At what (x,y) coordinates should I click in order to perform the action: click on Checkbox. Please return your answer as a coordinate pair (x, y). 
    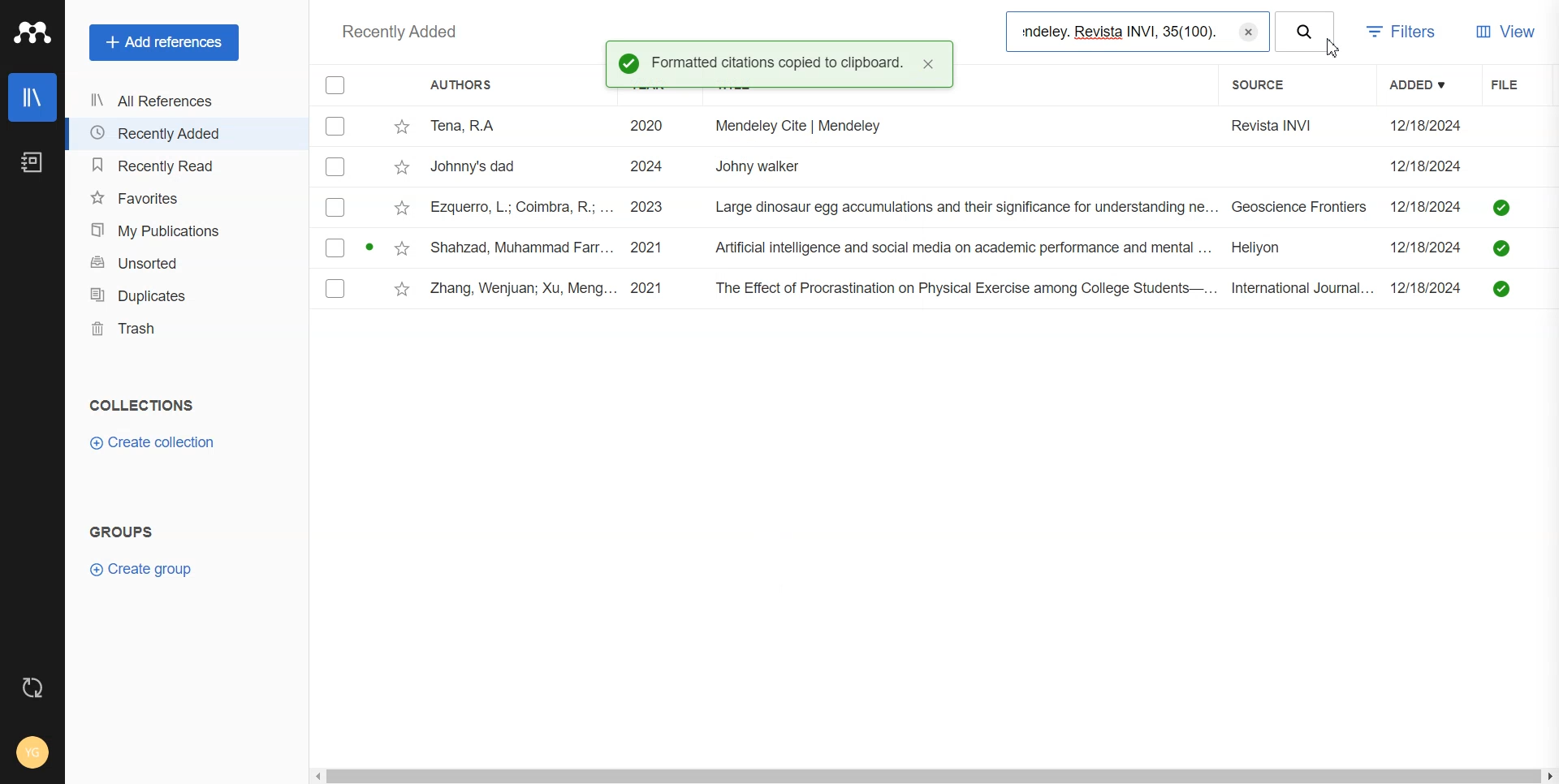
    Looking at the image, I should click on (335, 209).